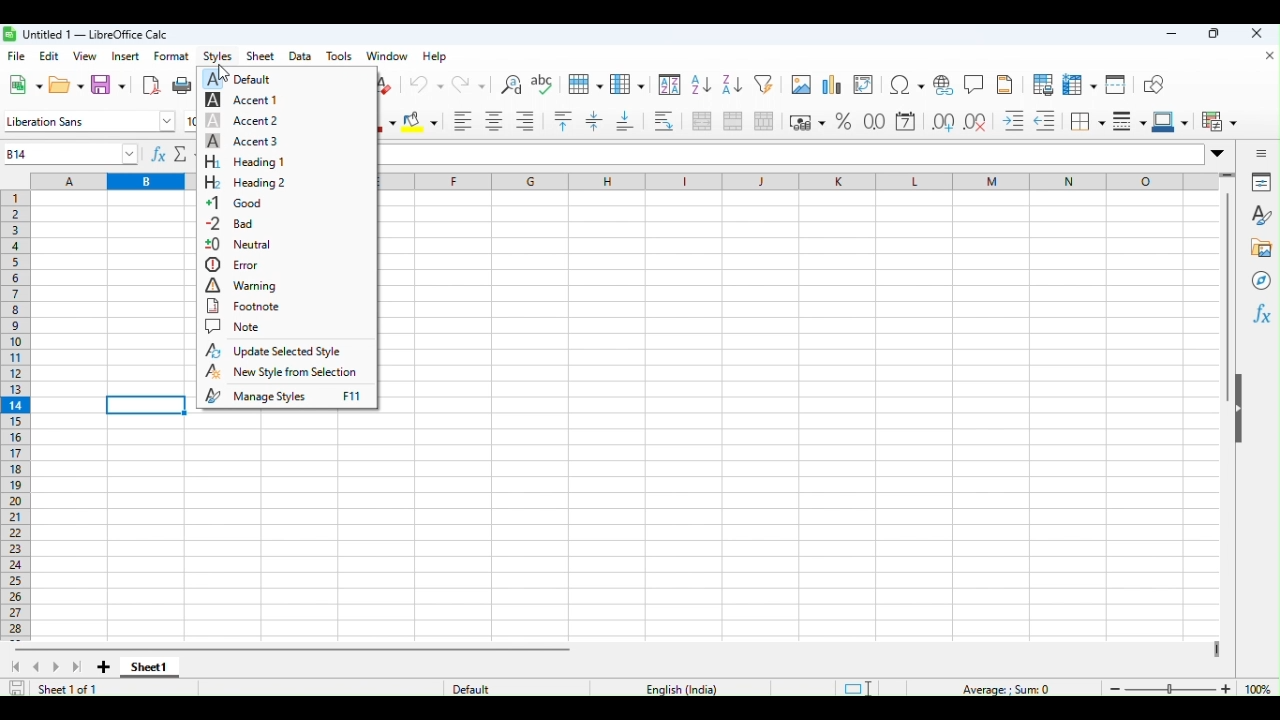 This screenshot has width=1280, height=720. I want to click on Upper align, so click(561, 123).